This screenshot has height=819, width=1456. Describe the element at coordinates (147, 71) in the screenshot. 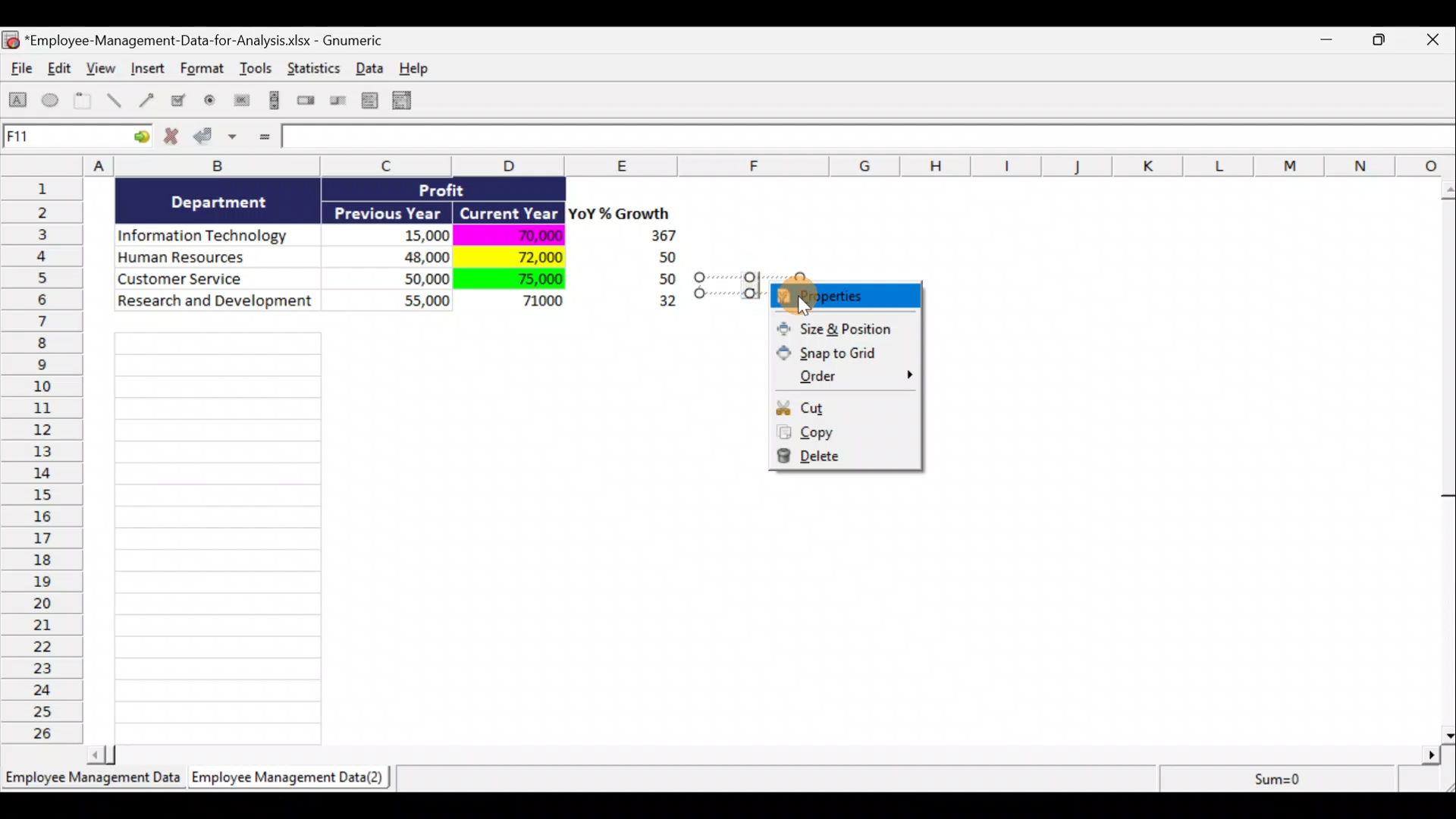

I see `Insert` at that location.